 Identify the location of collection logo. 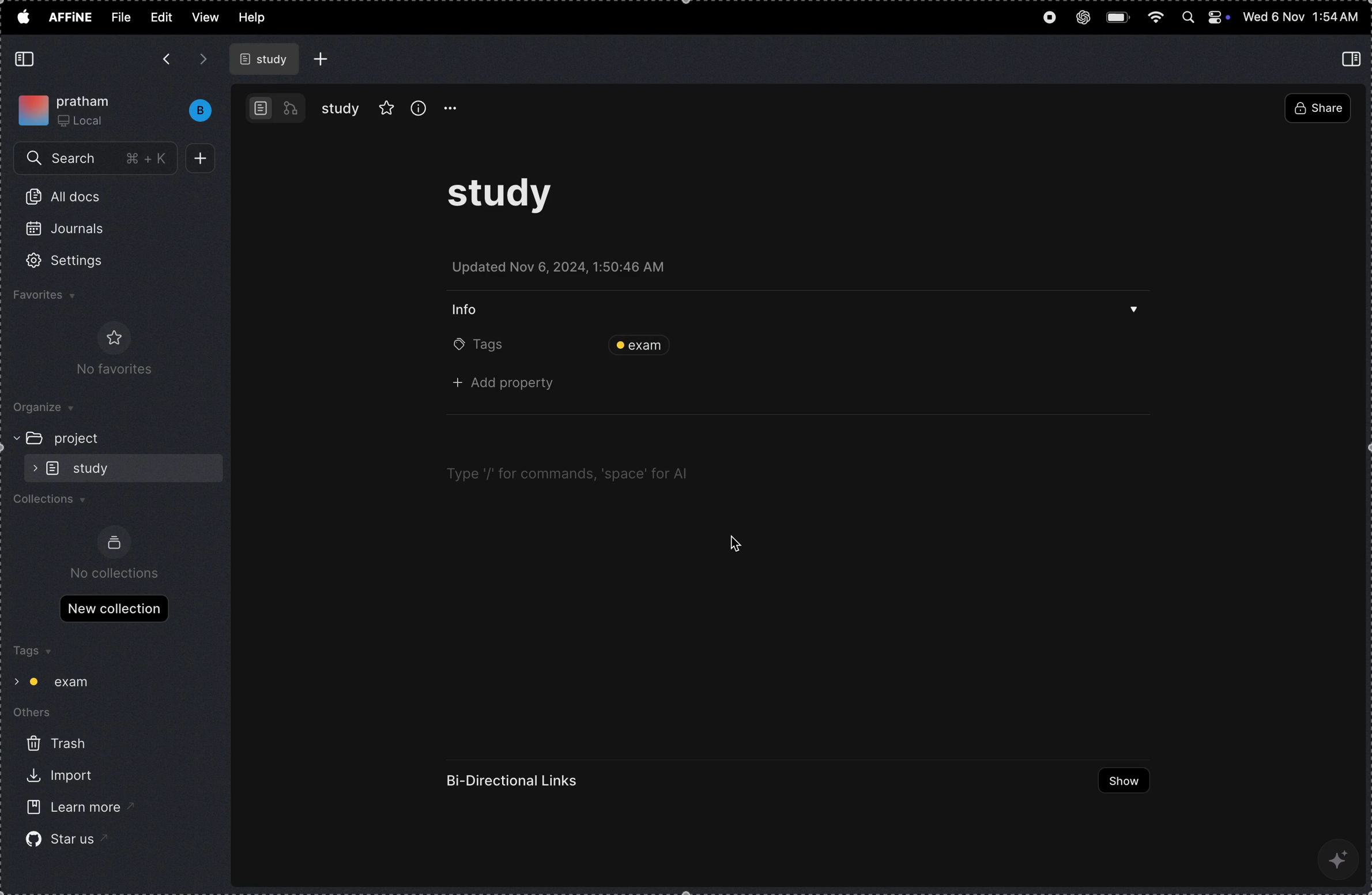
(114, 543).